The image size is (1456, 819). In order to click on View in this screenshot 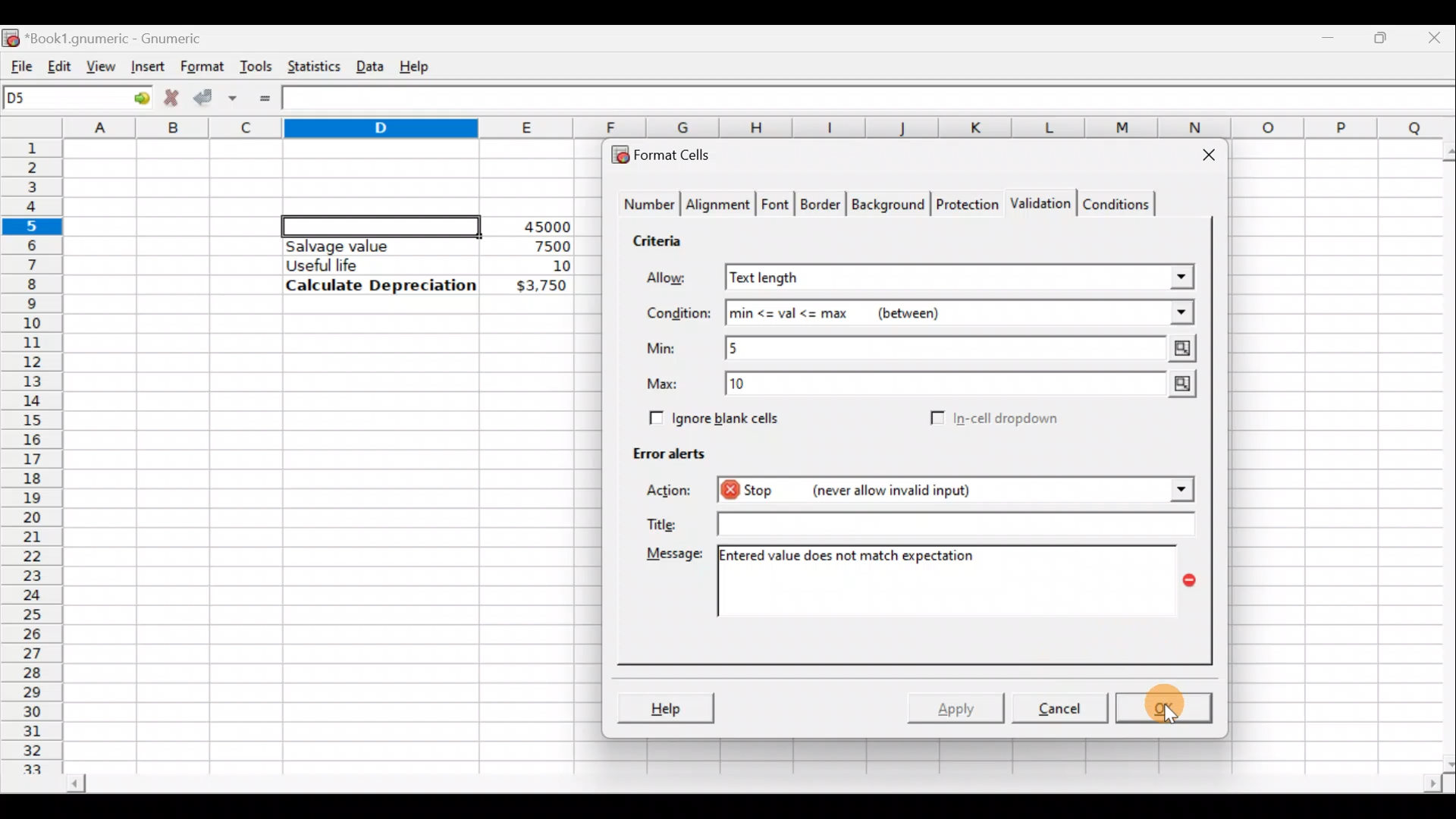, I will do `click(102, 65)`.